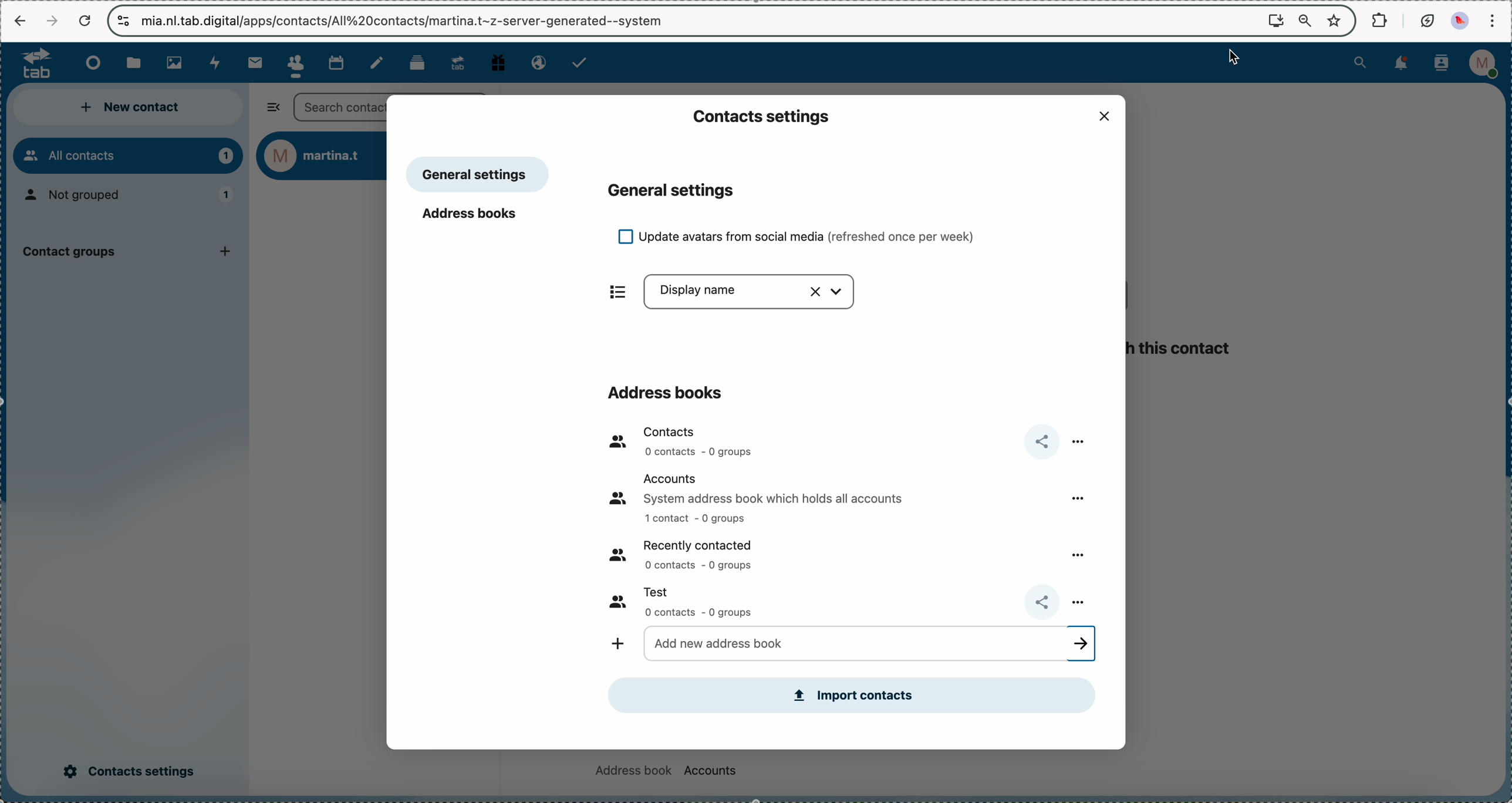 The width and height of the screenshot is (1512, 803). What do you see at coordinates (1275, 21) in the screenshot?
I see `install Nextcloud` at bounding box center [1275, 21].